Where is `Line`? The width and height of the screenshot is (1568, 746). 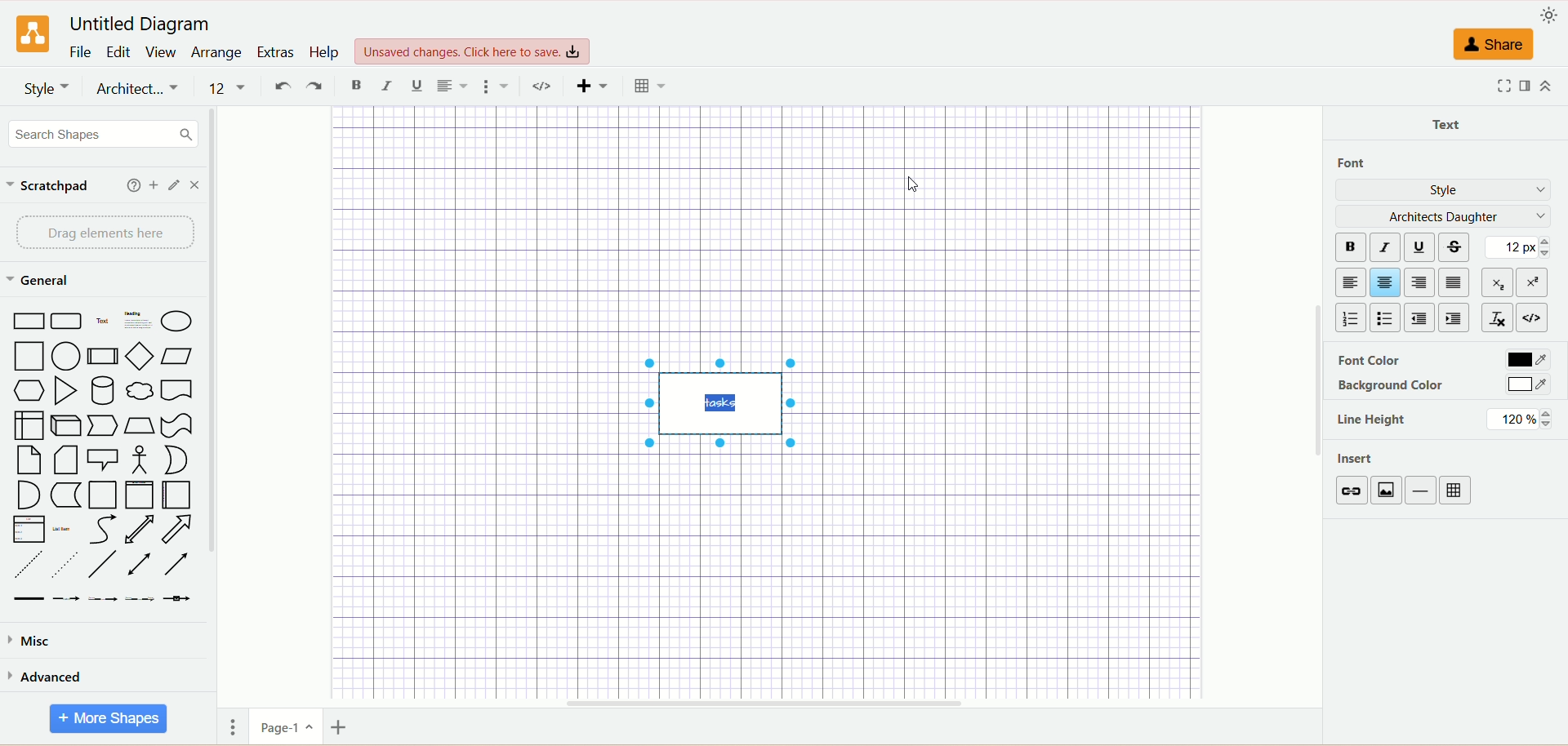
Line is located at coordinates (102, 566).